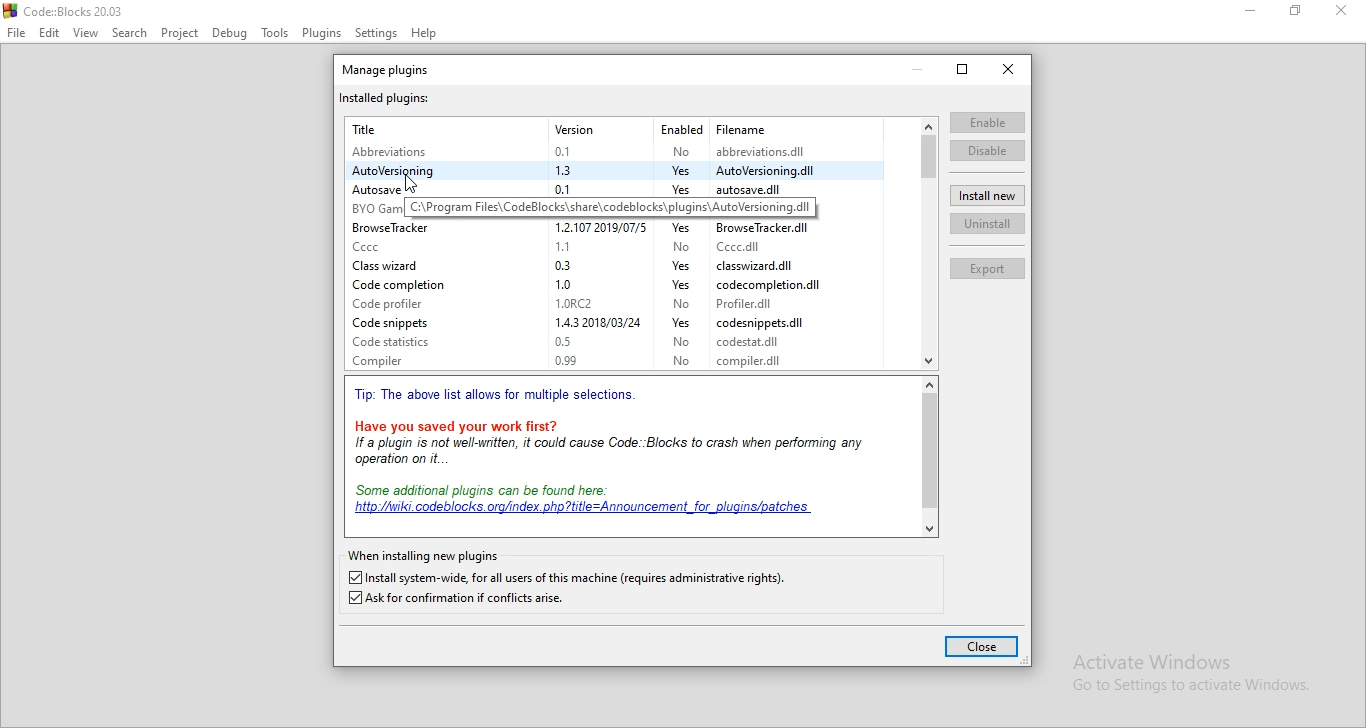  What do you see at coordinates (987, 195) in the screenshot?
I see `install new` at bounding box center [987, 195].